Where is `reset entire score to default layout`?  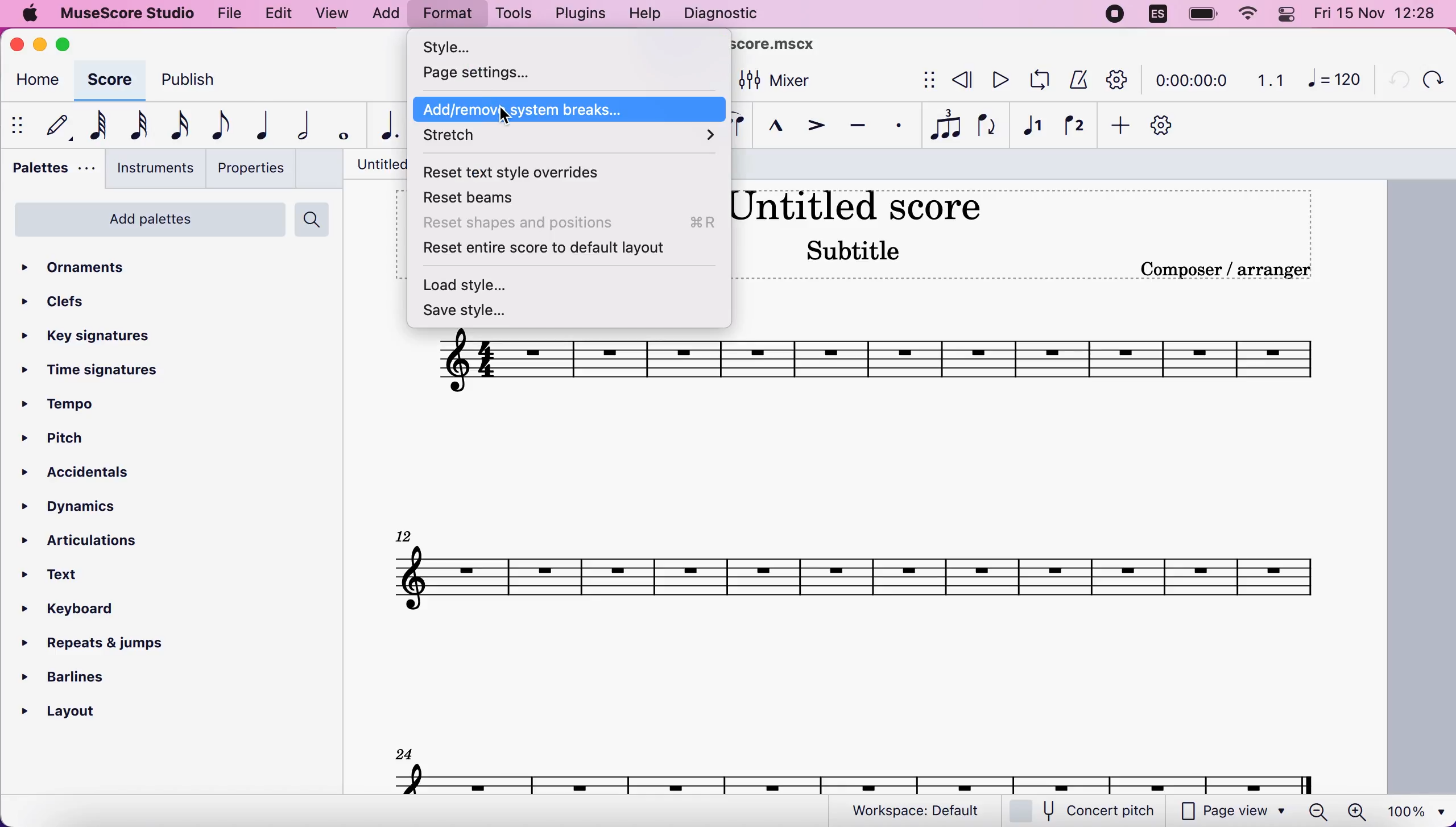 reset entire score to default layout is located at coordinates (572, 249).